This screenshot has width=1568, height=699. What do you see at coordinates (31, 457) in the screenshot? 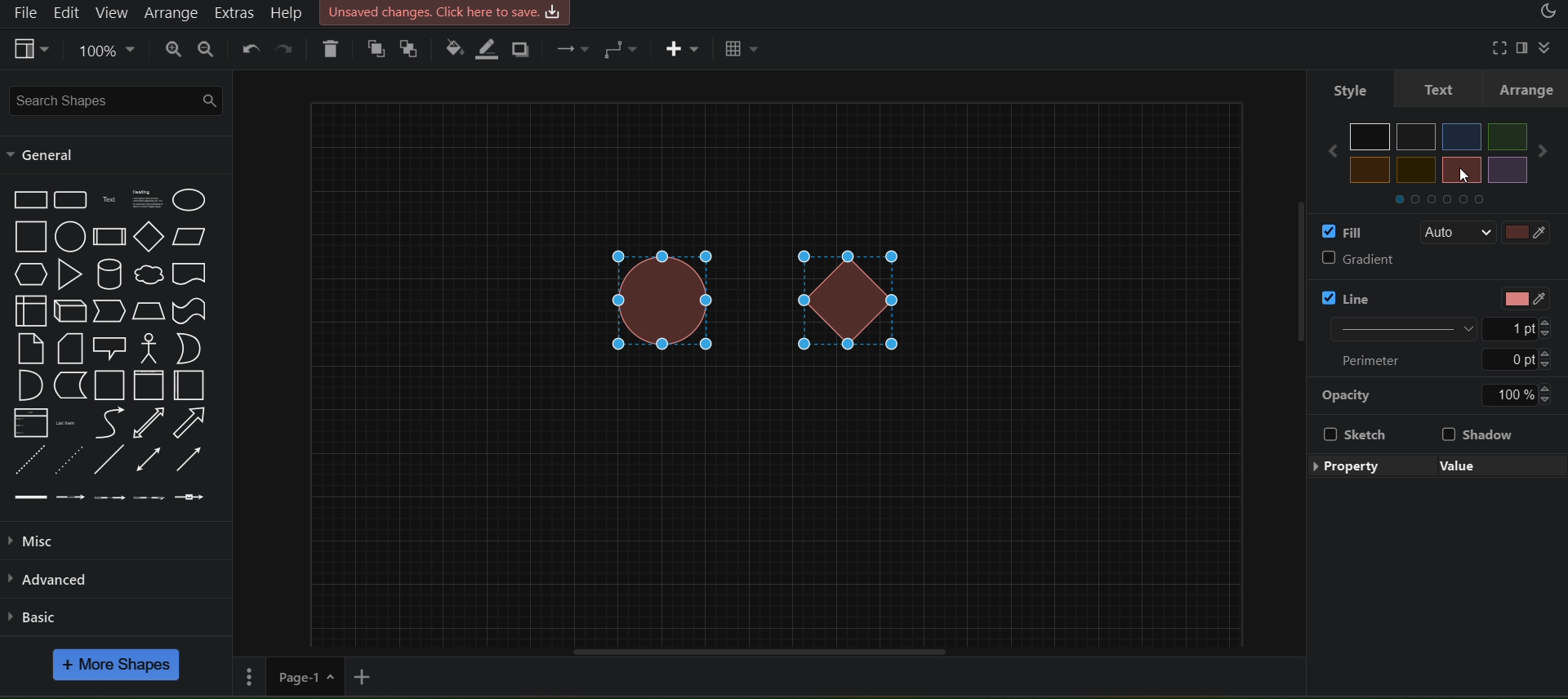
I see `Dashed Line` at bounding box center [31, 457].